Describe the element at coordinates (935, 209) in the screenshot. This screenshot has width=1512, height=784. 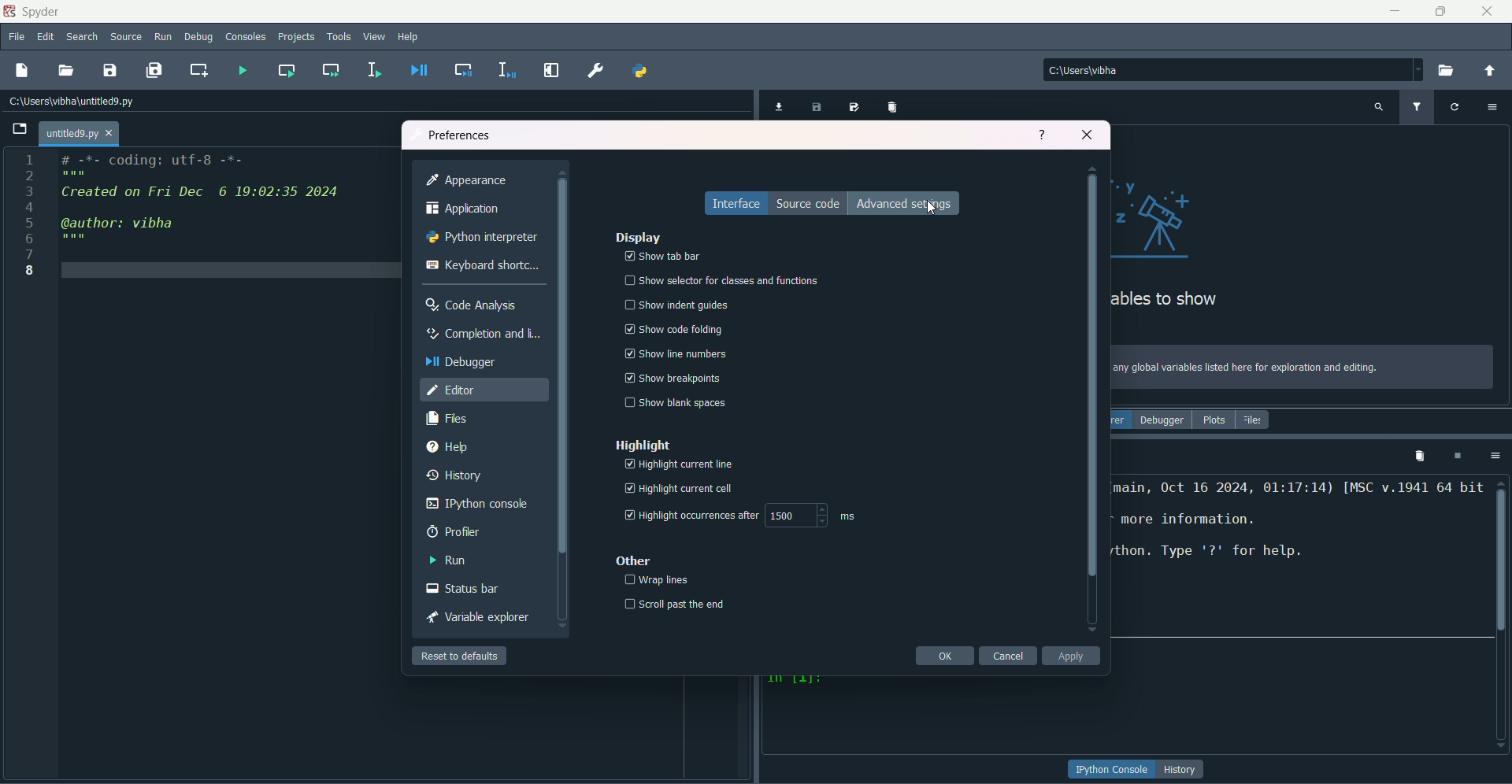
I see `Cursor` at that location.